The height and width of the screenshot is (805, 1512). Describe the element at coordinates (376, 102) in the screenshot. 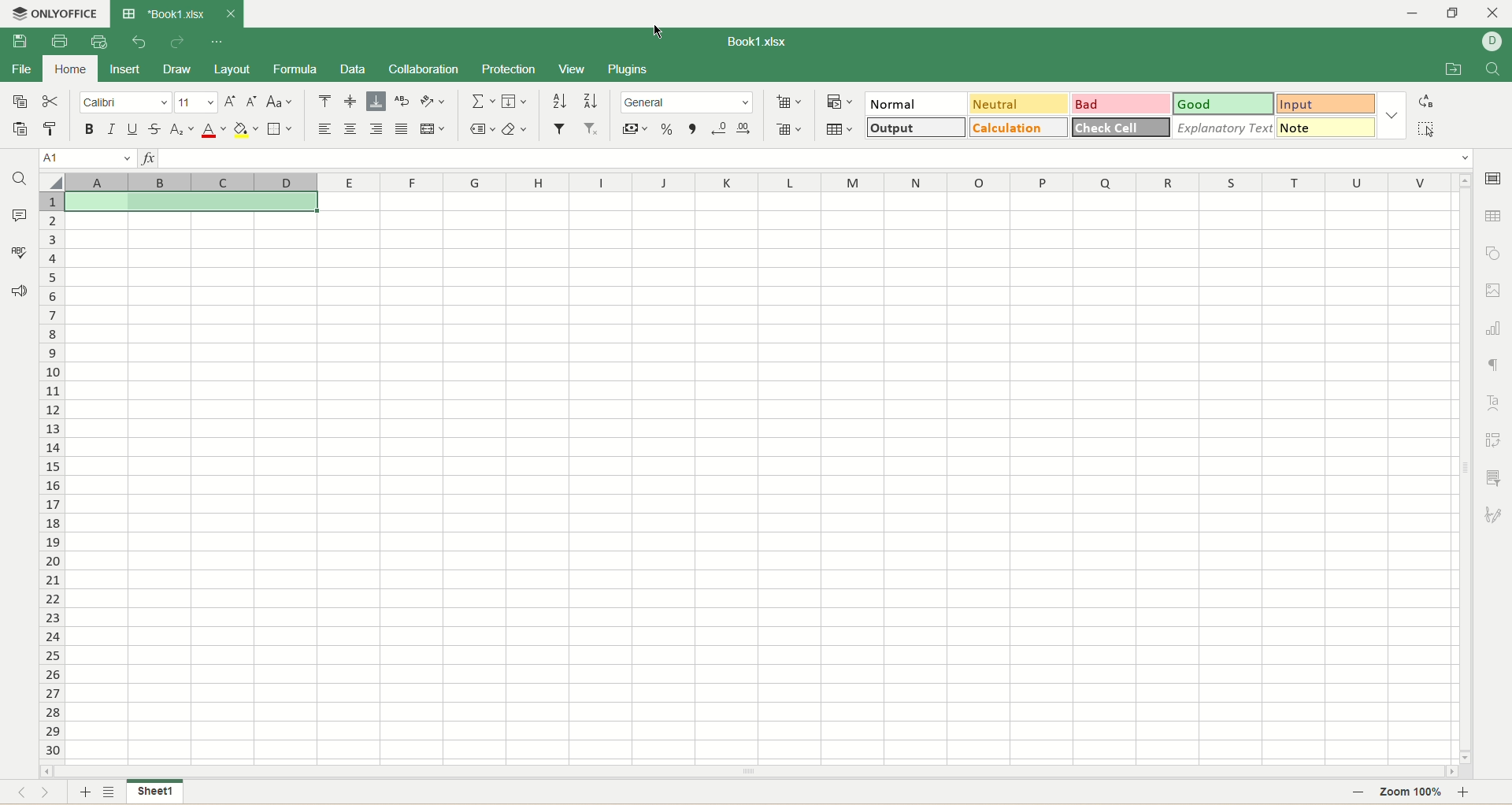

I see `align bottom` at that location.